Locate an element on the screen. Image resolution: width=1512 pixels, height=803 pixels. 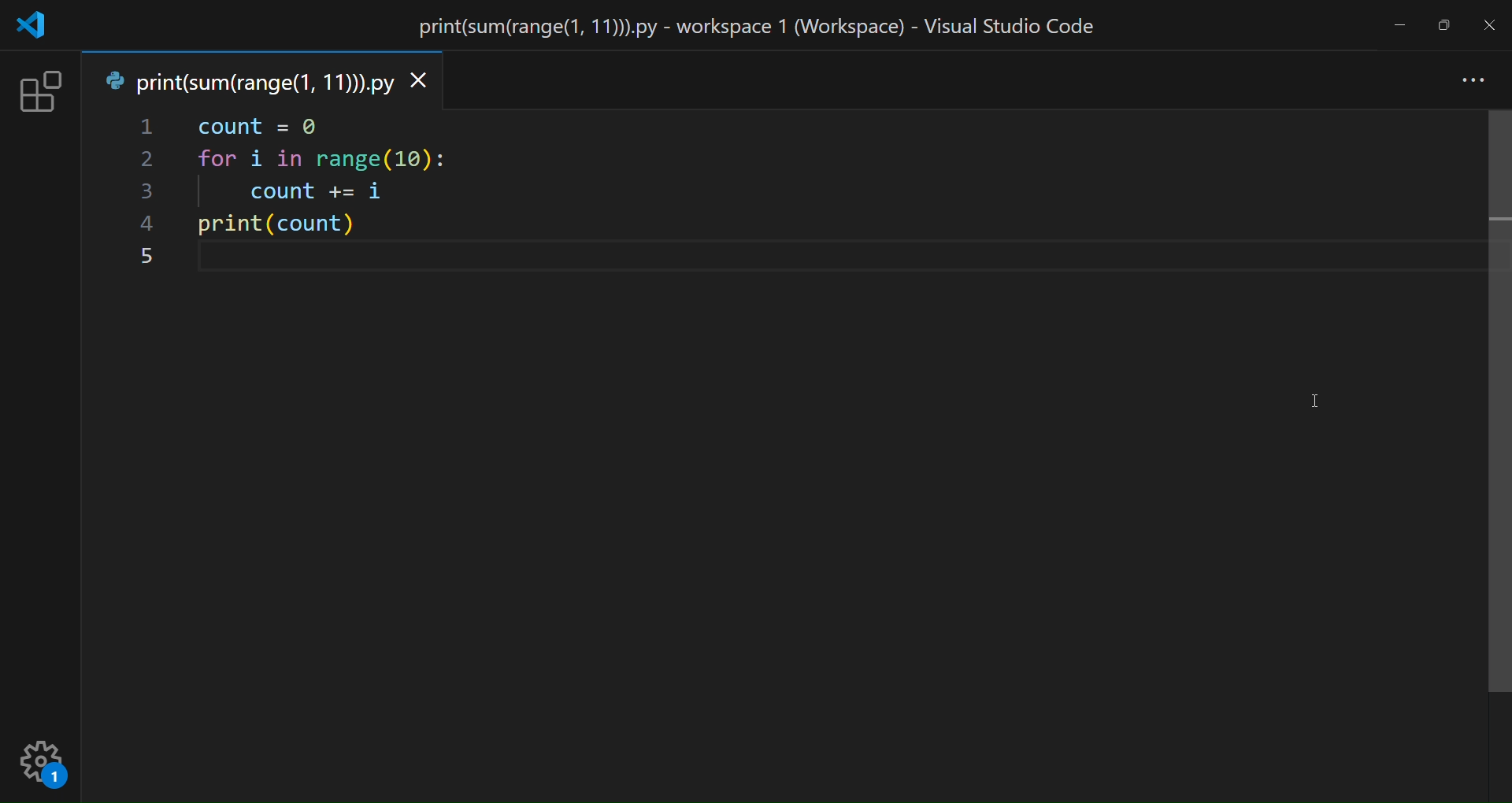
close is located at coordinates (1491, 25).